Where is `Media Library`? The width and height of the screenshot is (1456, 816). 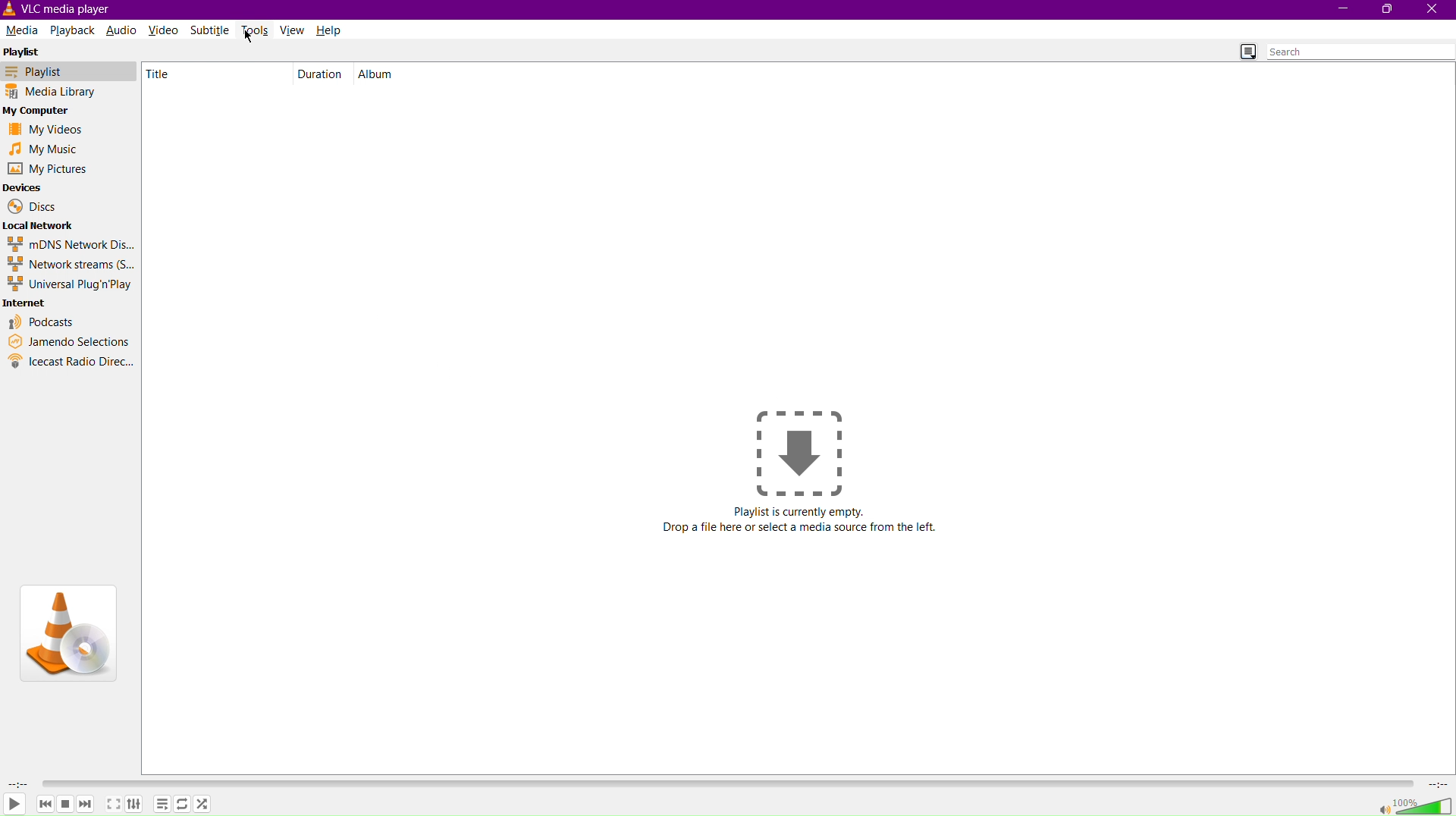 Media Library is located at coordinates (69, 92).